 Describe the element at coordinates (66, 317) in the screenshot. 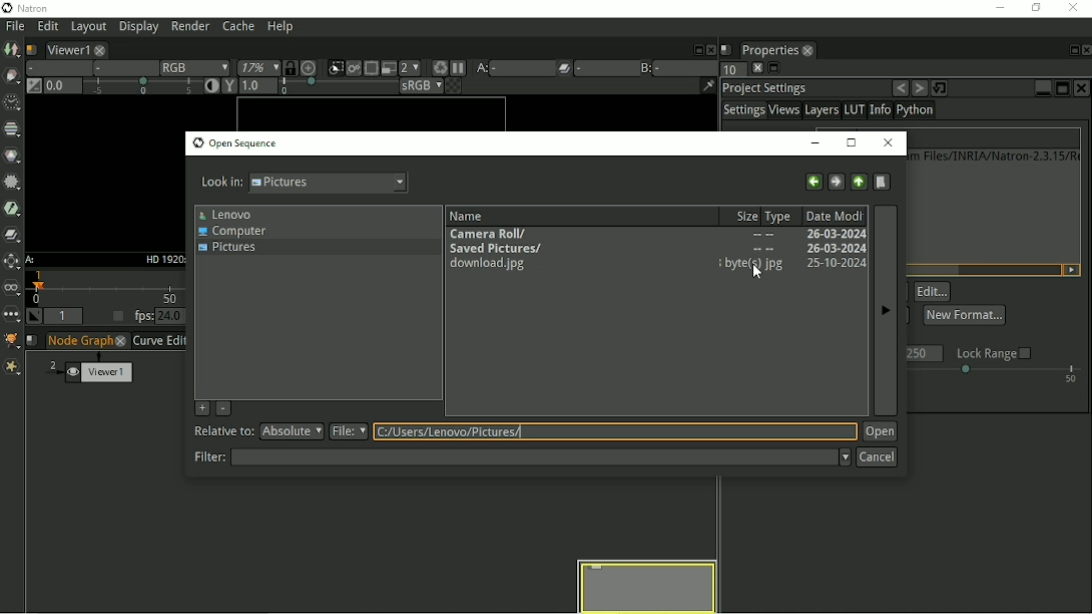

I see `Playback in point` at that location.